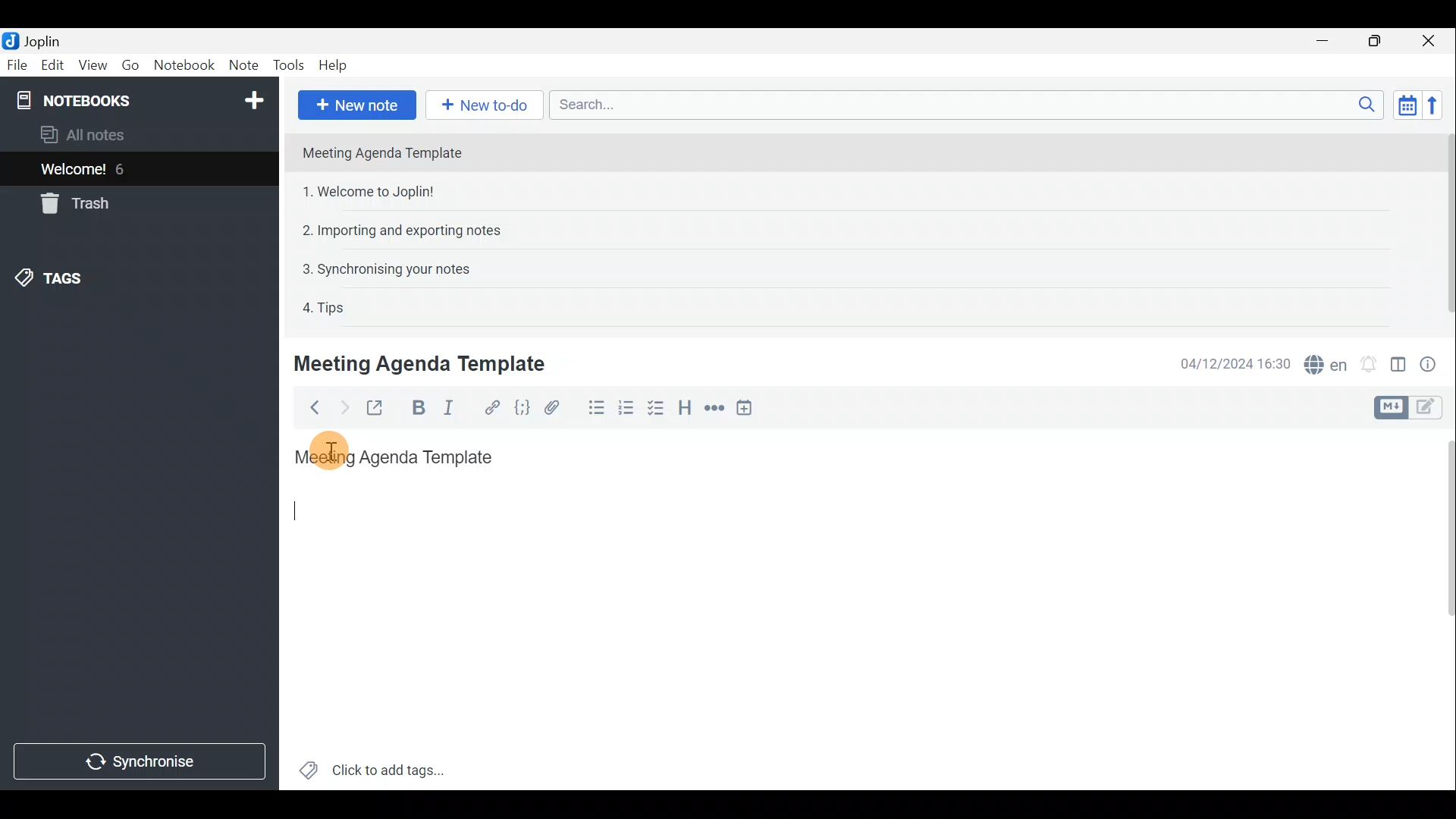 Image resolution: width=1456 pixels, height=819 pixels. Describe the element at coordinates (53, 67) in the screenshot. I see `Edit` at that location.